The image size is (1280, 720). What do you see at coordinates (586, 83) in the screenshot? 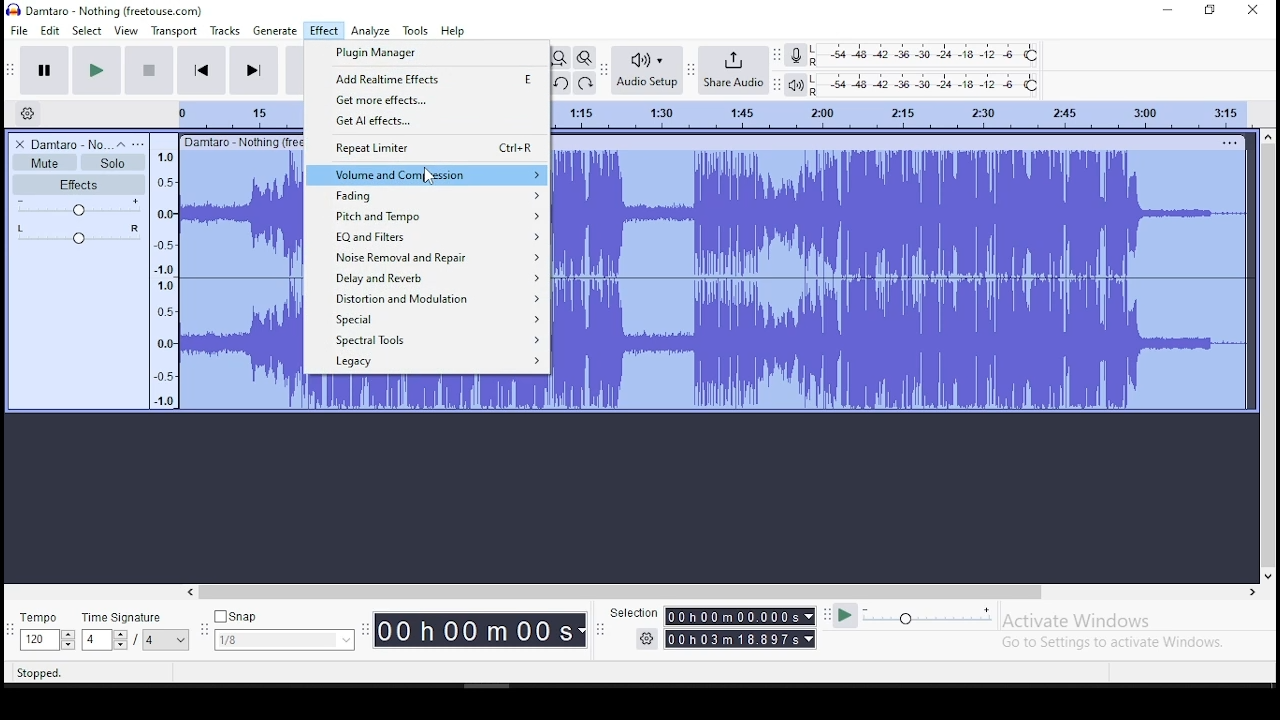
I see `redo` at bounding box center [586, 83].